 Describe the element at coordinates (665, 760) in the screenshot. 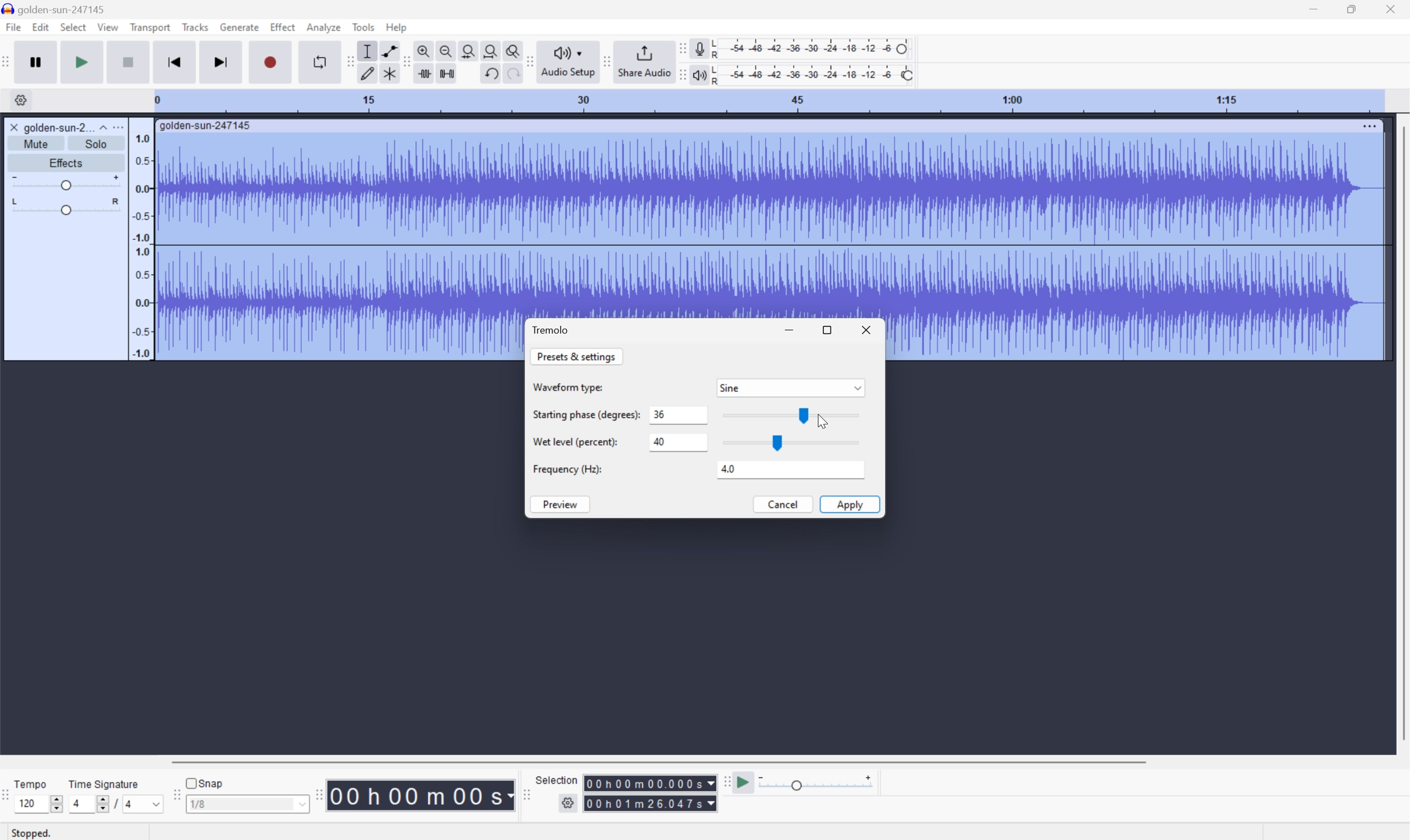

I see `Scroll bar` at that location.